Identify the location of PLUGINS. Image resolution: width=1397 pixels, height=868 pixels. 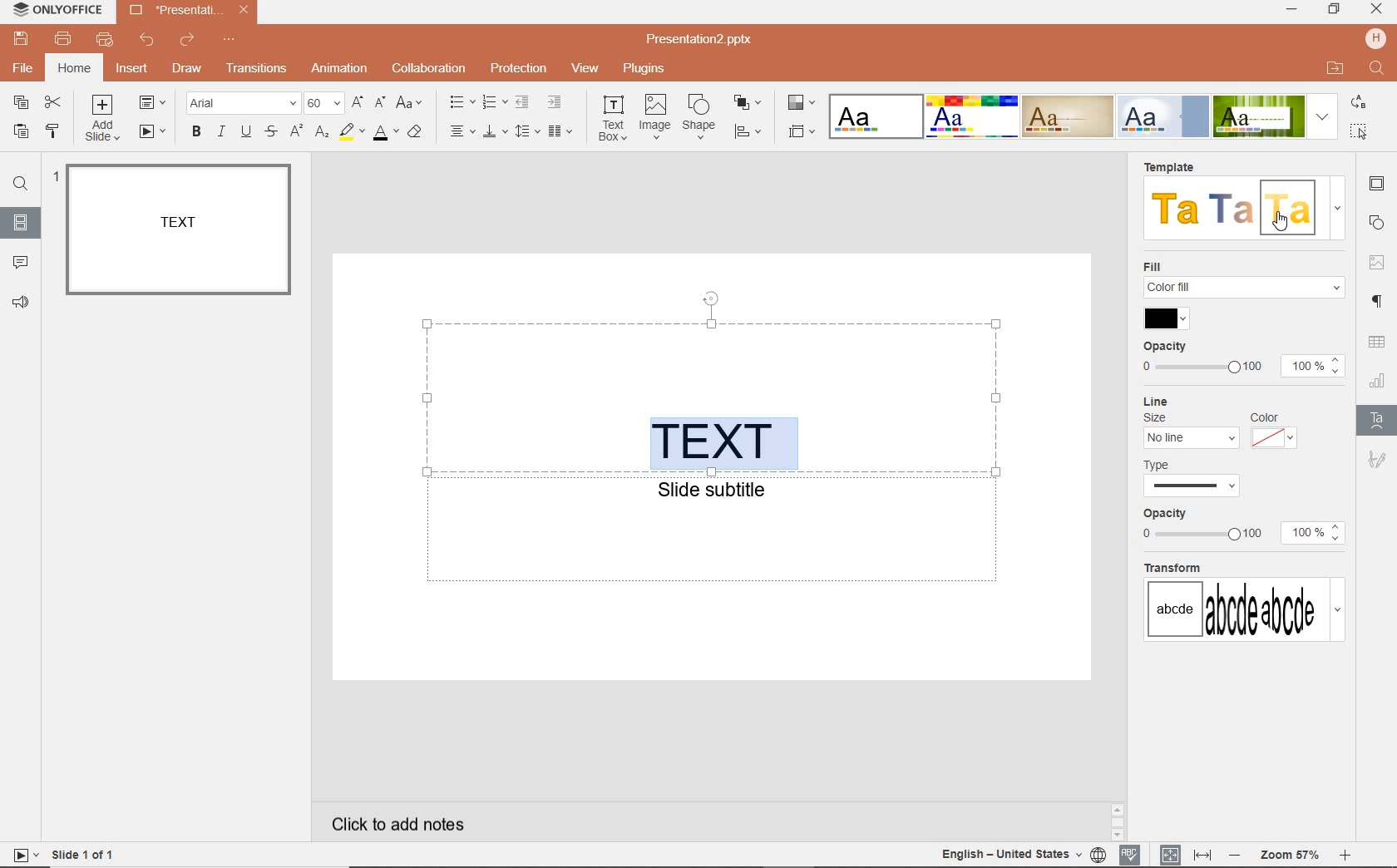
(643, 67).